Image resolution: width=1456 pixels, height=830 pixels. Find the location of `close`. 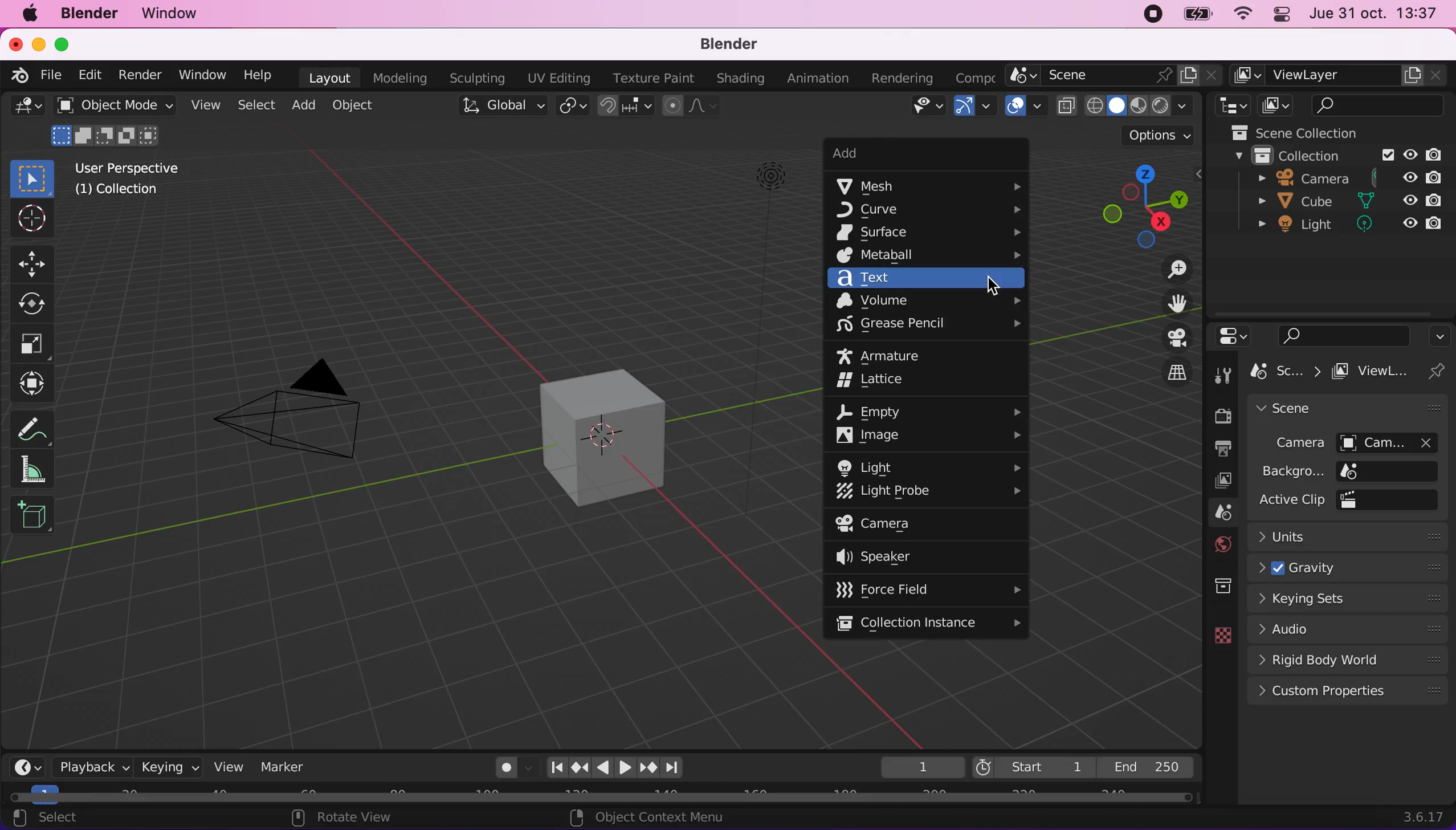

close is located at coordinates (17, 44).